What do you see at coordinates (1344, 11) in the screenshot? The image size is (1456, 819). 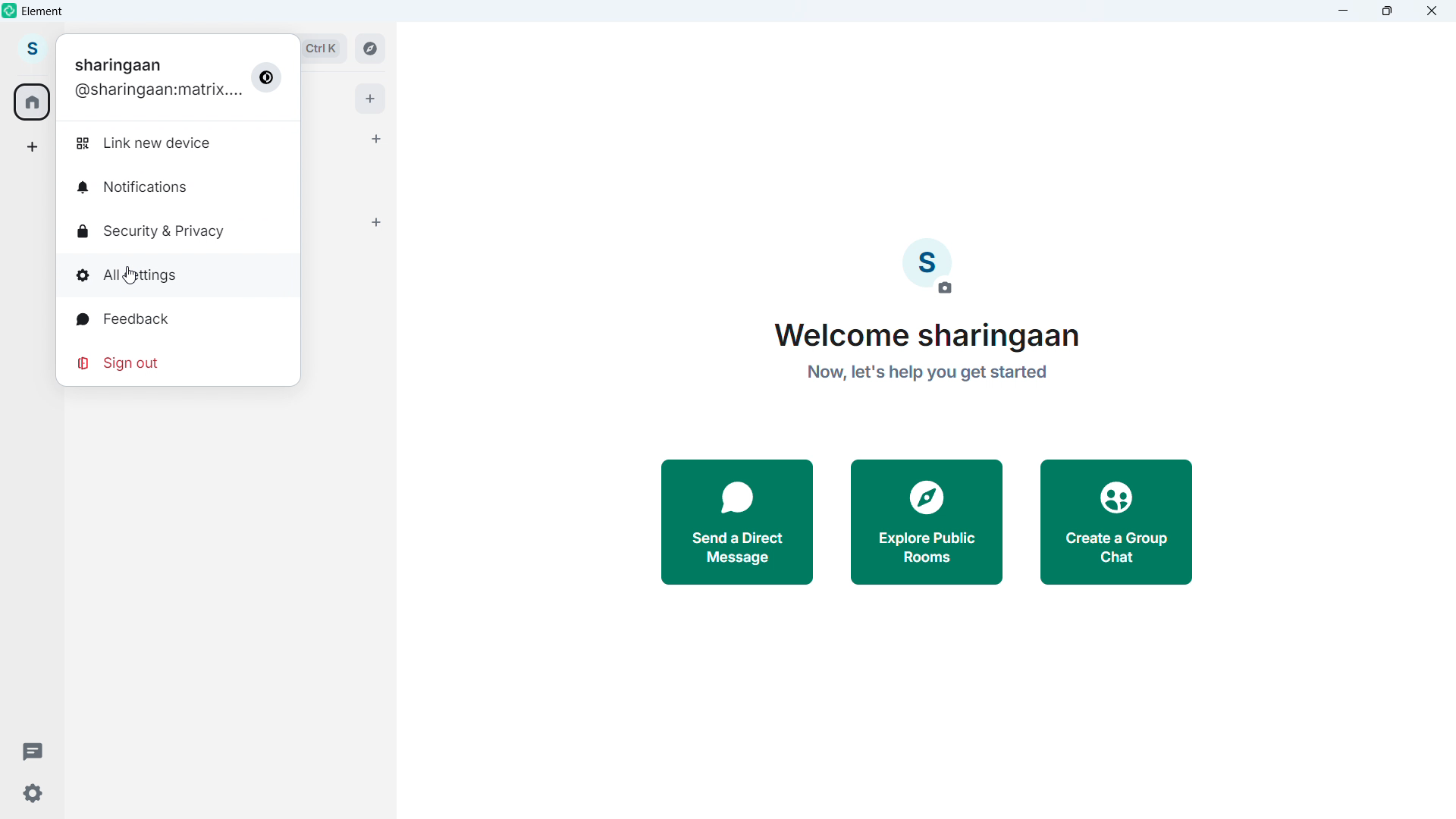 I see `minimise ` at bounding box center [1344, 11].